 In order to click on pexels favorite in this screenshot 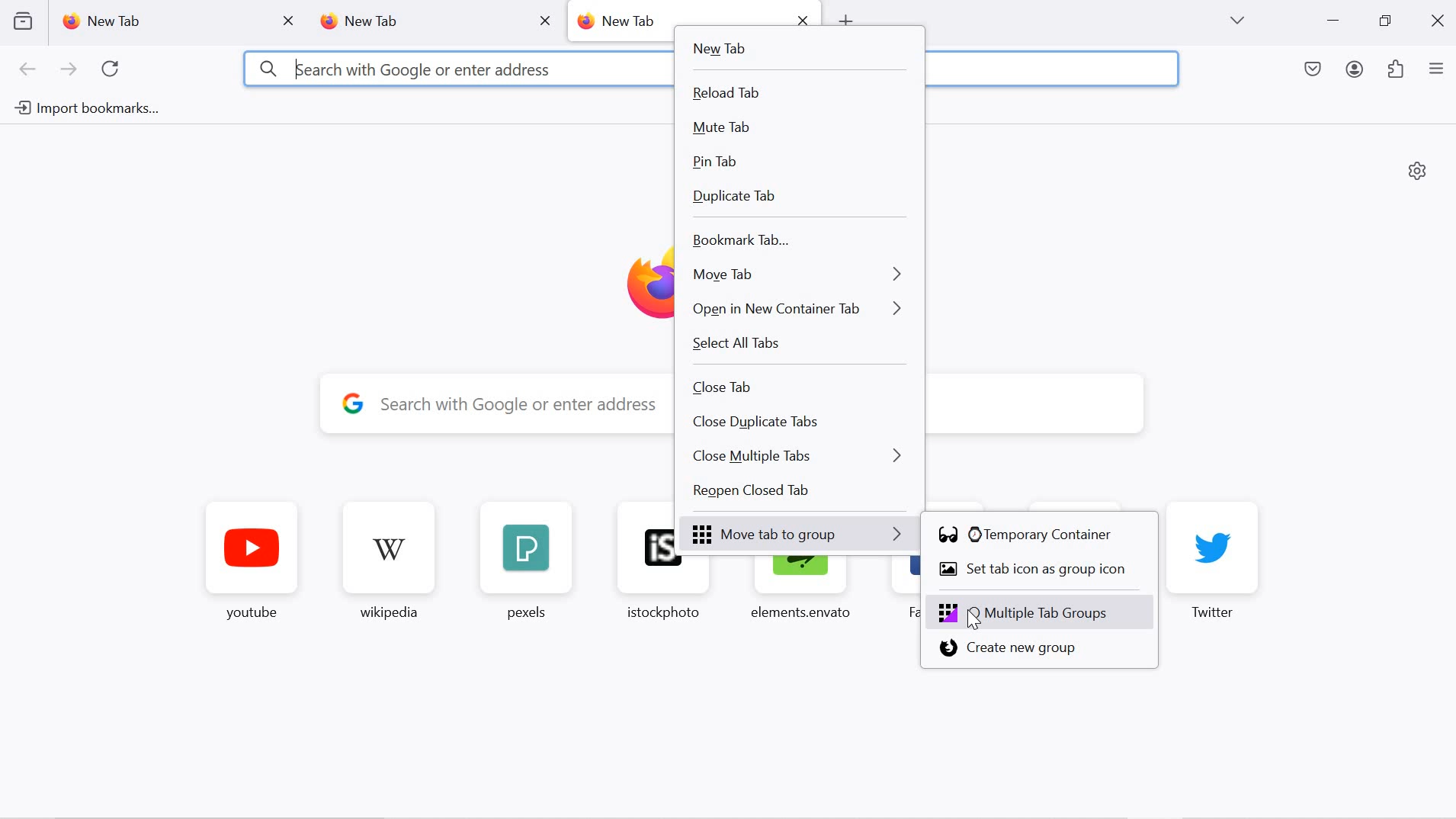, I will do `click(523, 562)`.